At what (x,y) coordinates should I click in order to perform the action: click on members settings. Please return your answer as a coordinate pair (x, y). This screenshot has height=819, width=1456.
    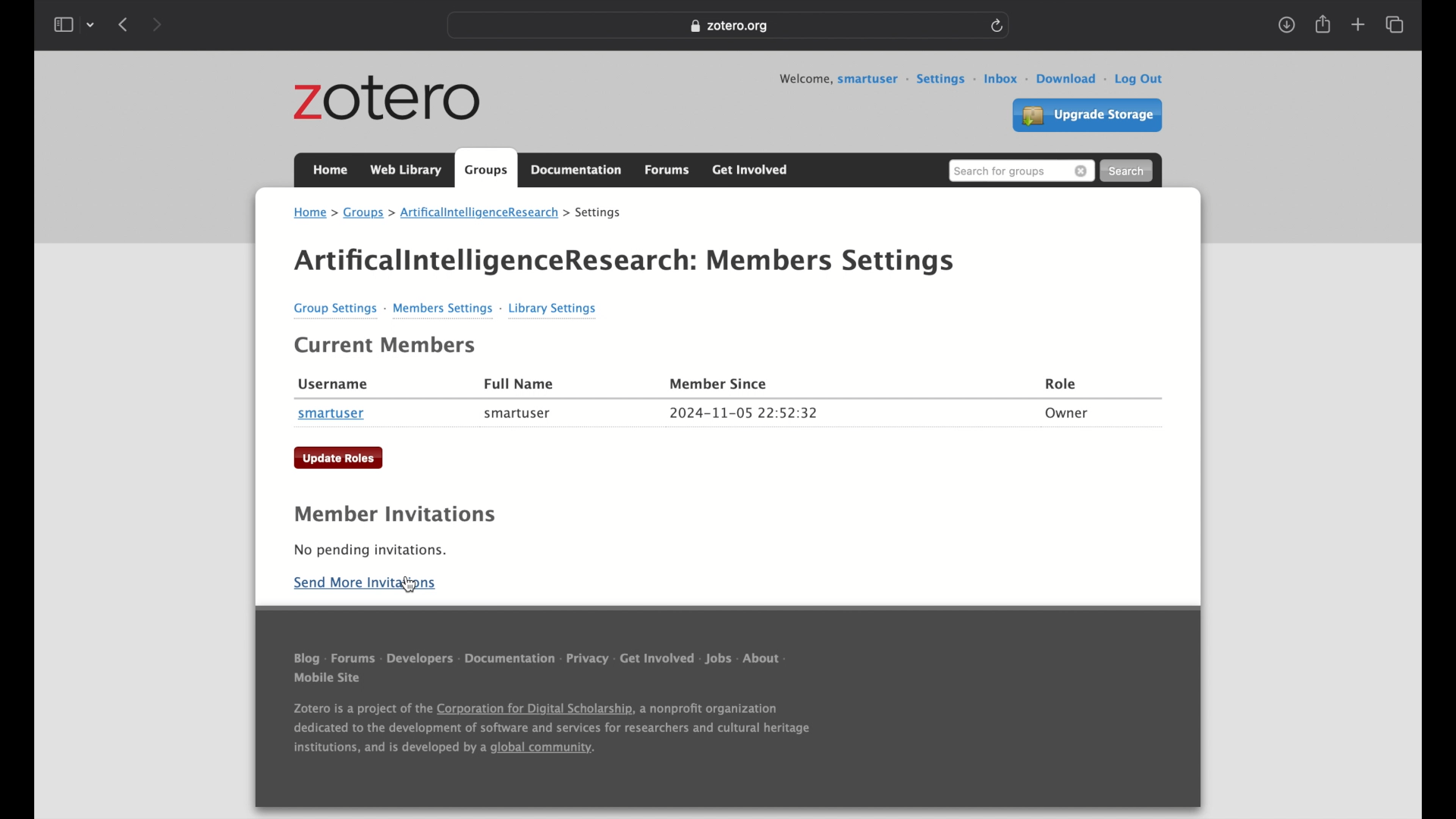
    Looking at the image, I should click on (447, 308).